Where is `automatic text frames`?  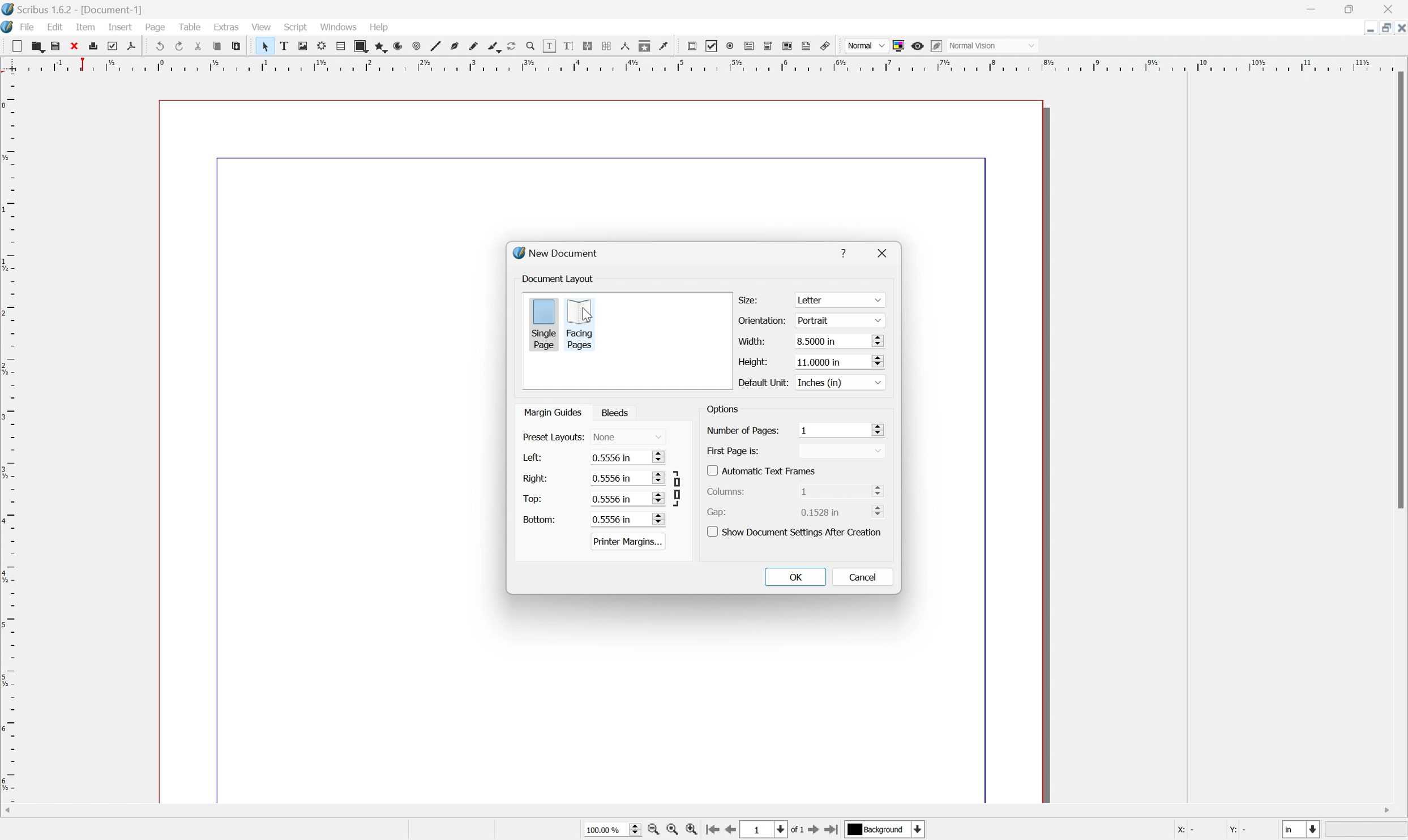
automatic text frames is located at coordinates (763, 470).